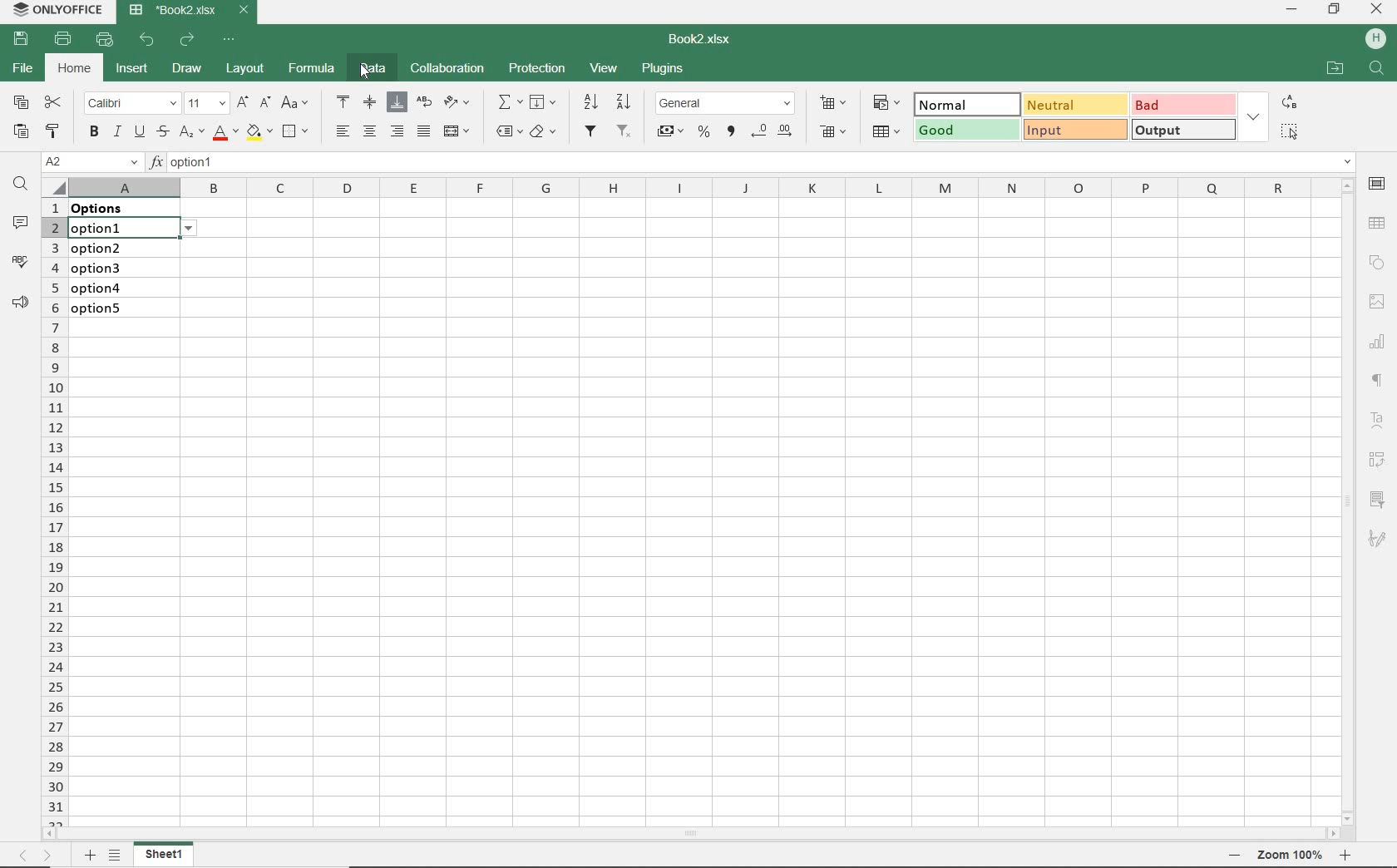 This screenshot has width=1397, height=868. I want to click on REPLACE, so click(1289, 104).